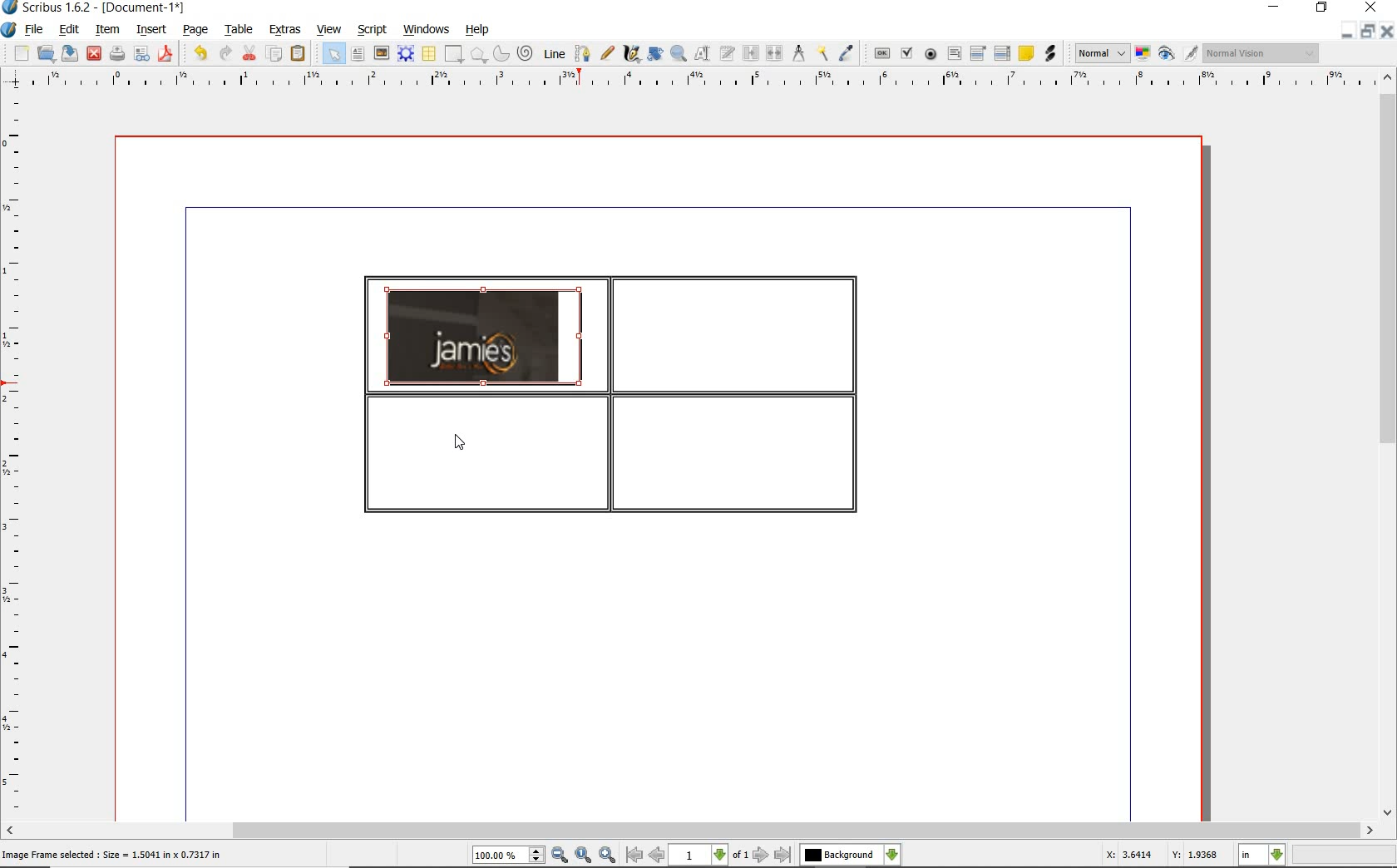 This screenshot has width=1397, height=868. What do you see at coordinates (275, 55) in the screenshot?
I see `copy` at bounding box center [275, 55].